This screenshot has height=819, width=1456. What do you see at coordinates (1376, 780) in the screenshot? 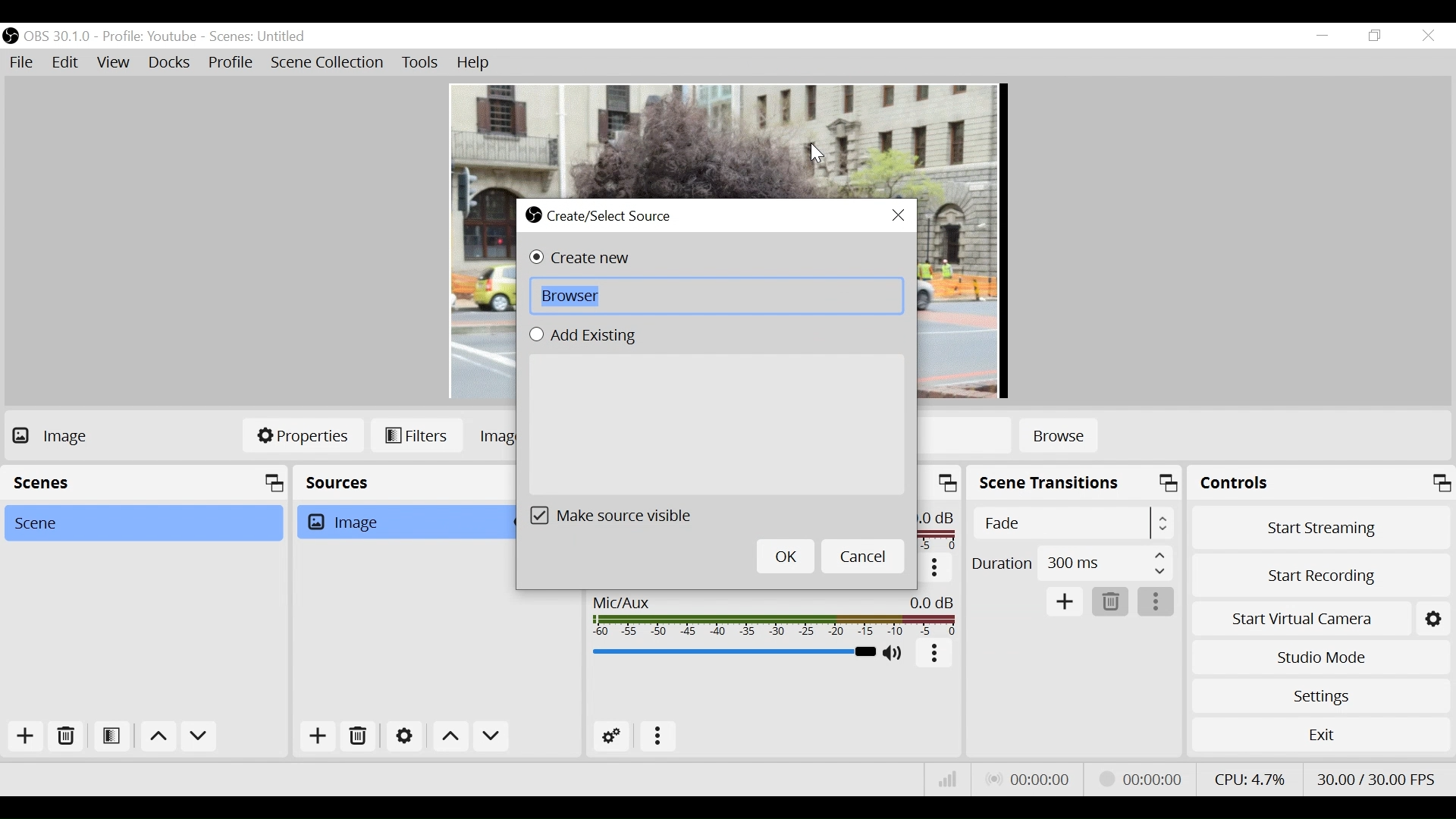
I see `Frame Per Second` at bounding box center [1376, 780].